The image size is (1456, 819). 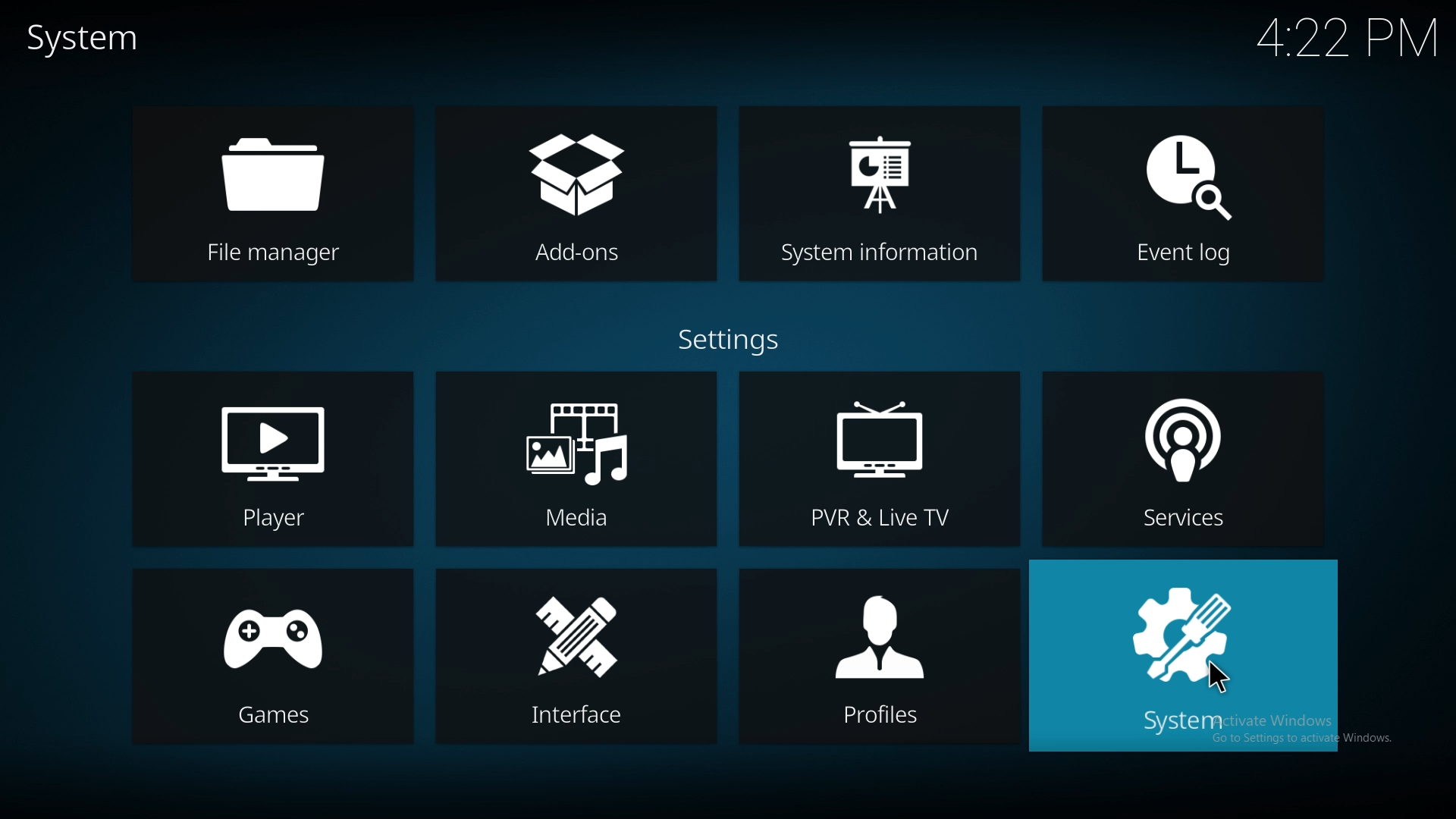 What do you see at coordinates (580, 196) in the screenshot?
I see `add ons` at bounding box center [580, 196].